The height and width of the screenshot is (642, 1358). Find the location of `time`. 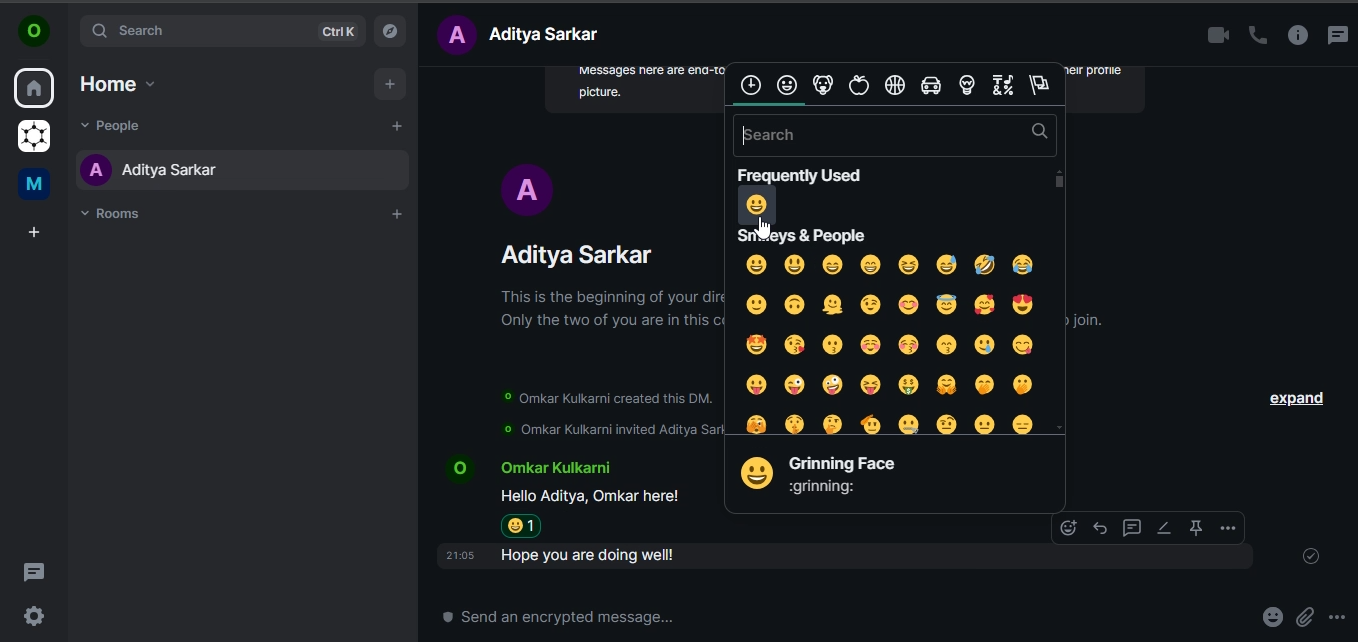

time is located at coordinates (459, 556).